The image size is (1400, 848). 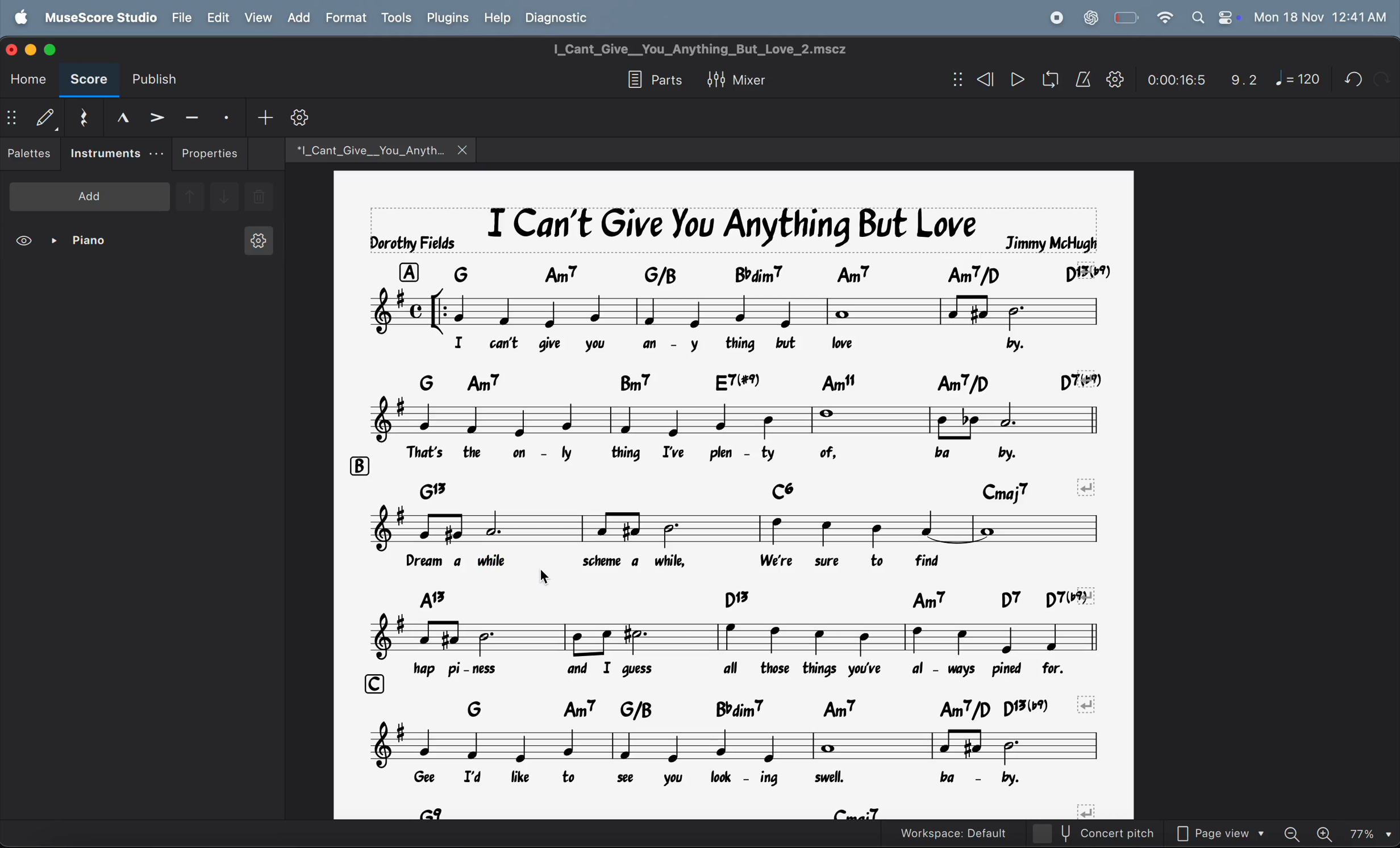 I want to click on date and time, so click(x=1323, y=17).